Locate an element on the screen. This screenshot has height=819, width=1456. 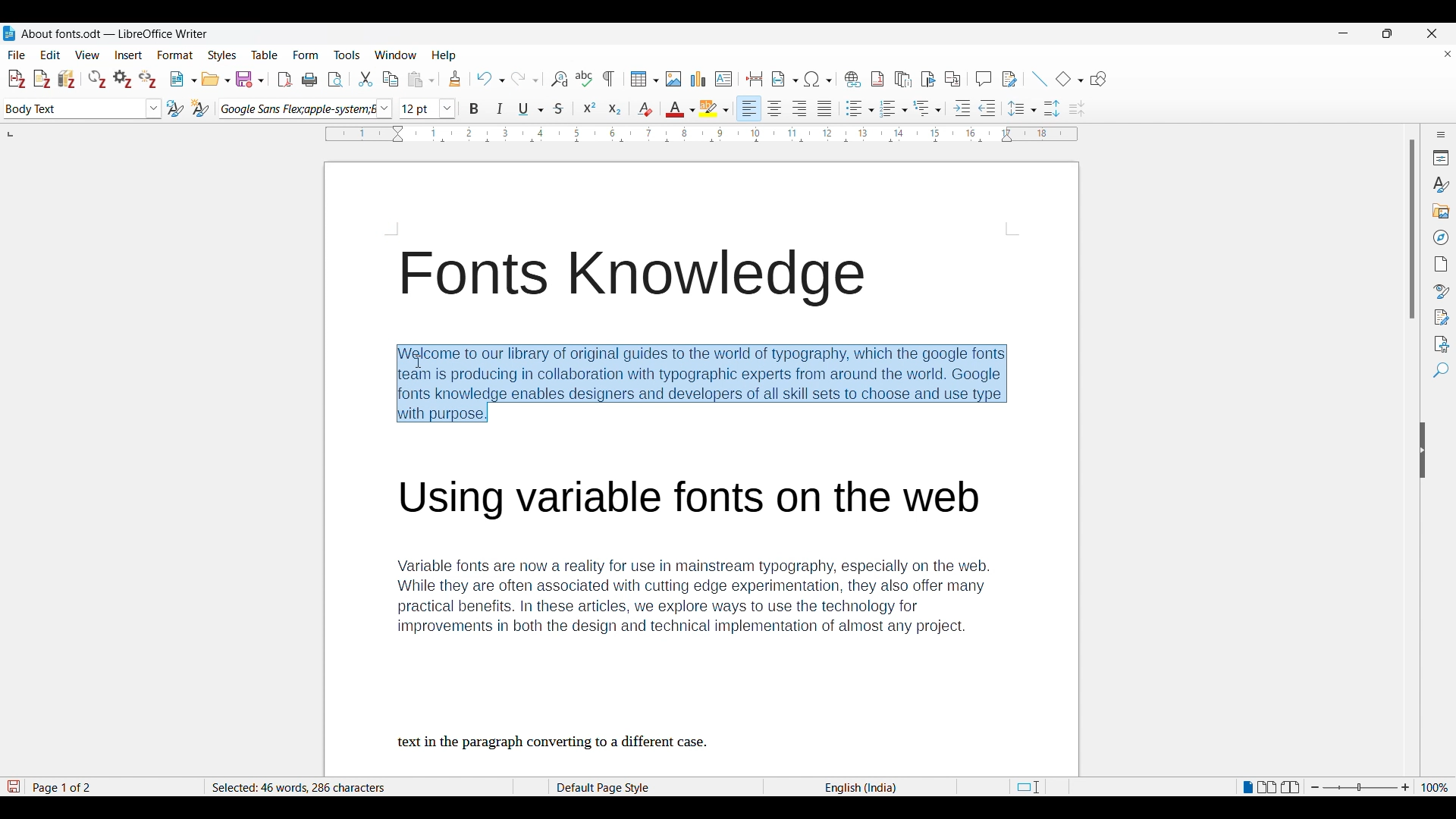
Close interface is located at coordinates (1432, 33).